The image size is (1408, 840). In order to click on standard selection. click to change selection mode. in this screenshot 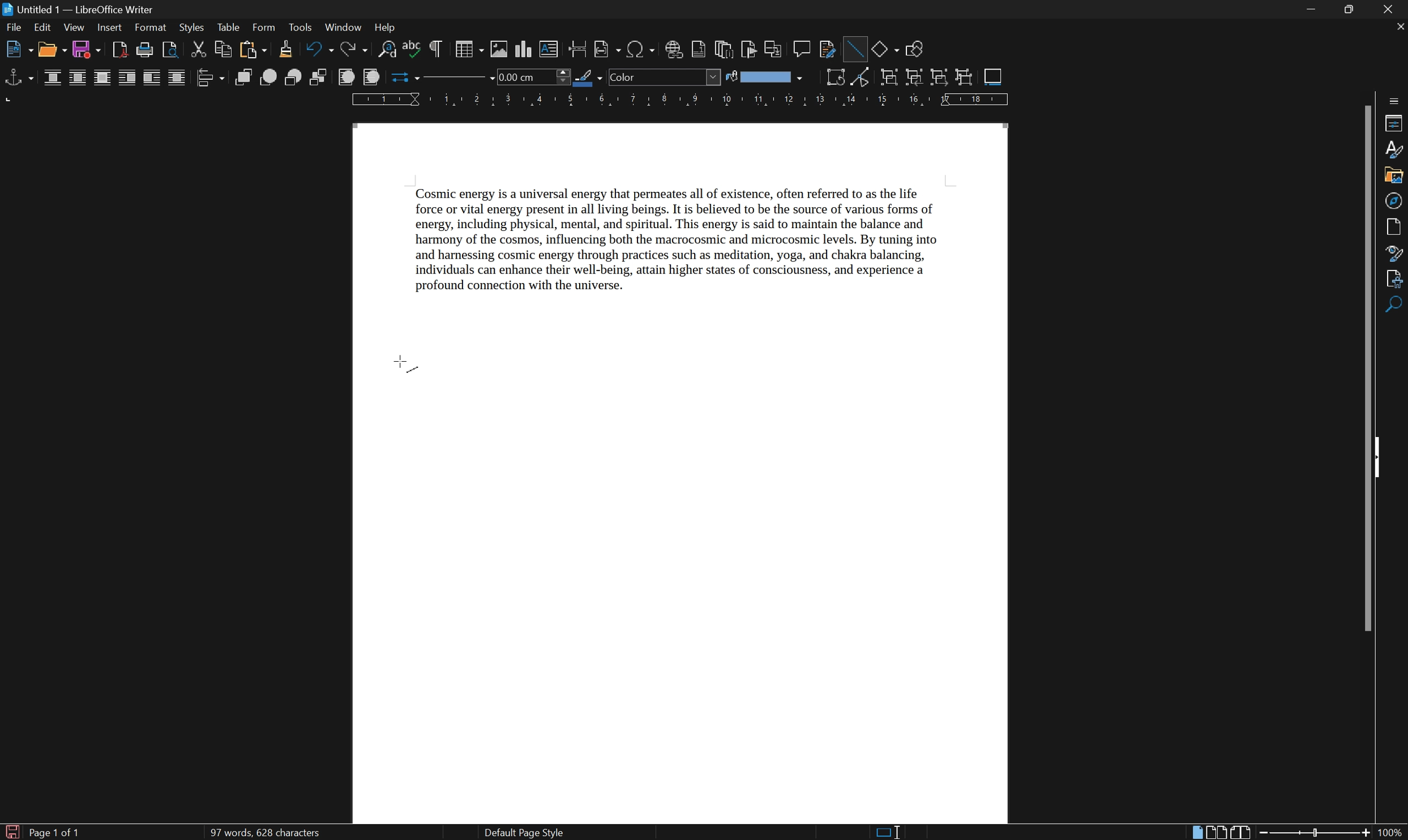, I will do `click(889, 832)`.